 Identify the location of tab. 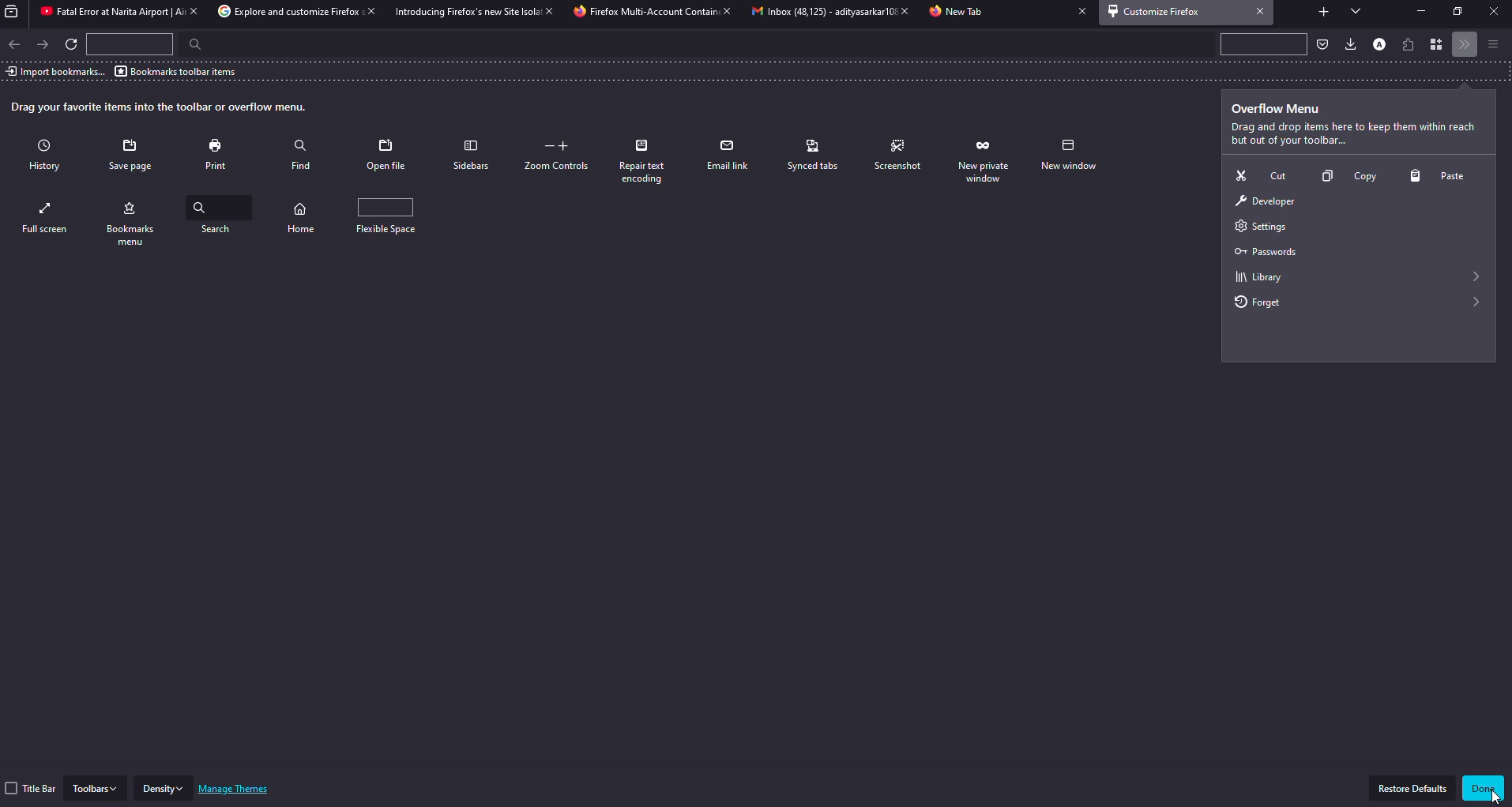
(644, 13).